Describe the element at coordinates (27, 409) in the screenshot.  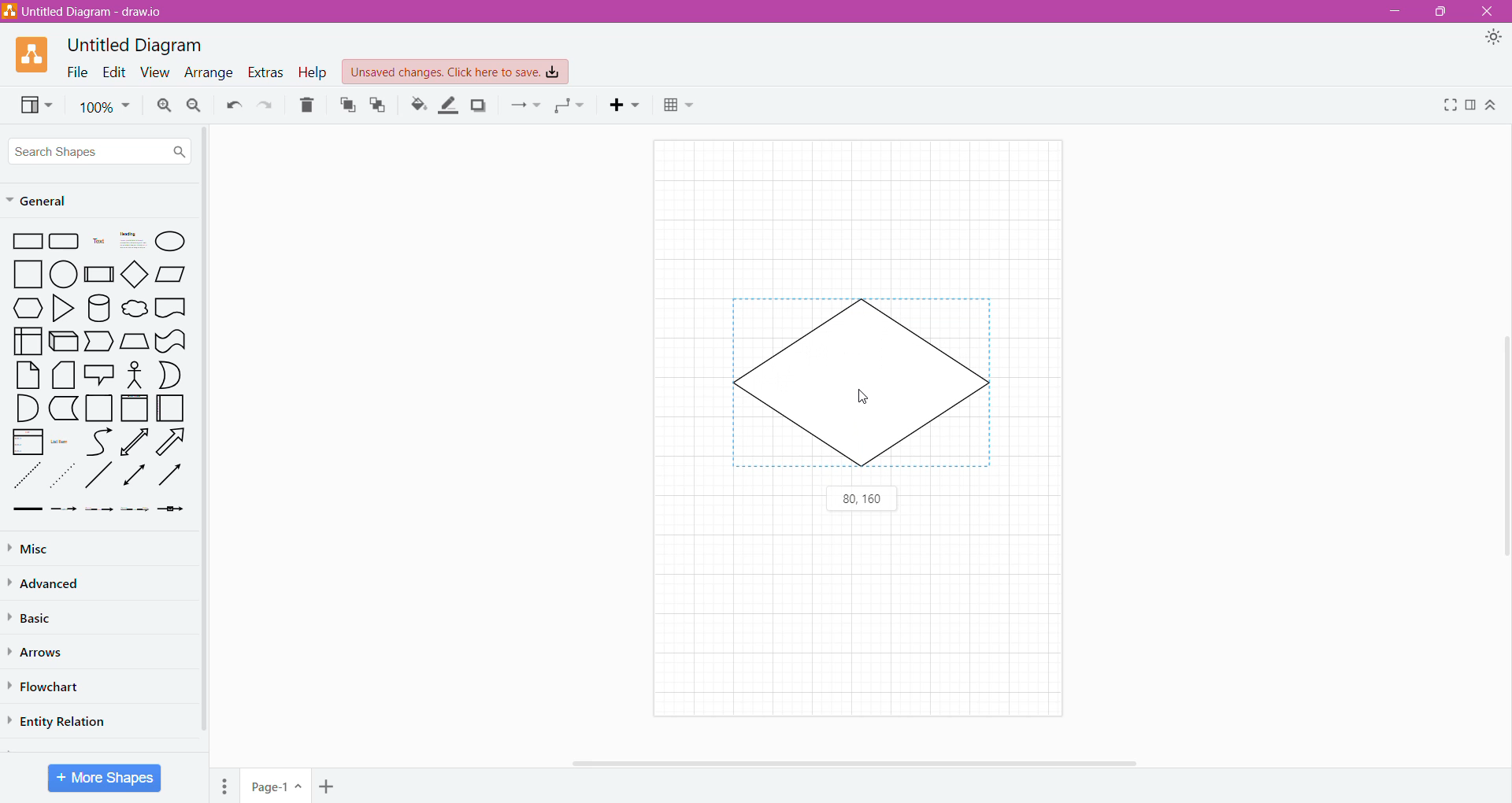
I see `And` at that location.